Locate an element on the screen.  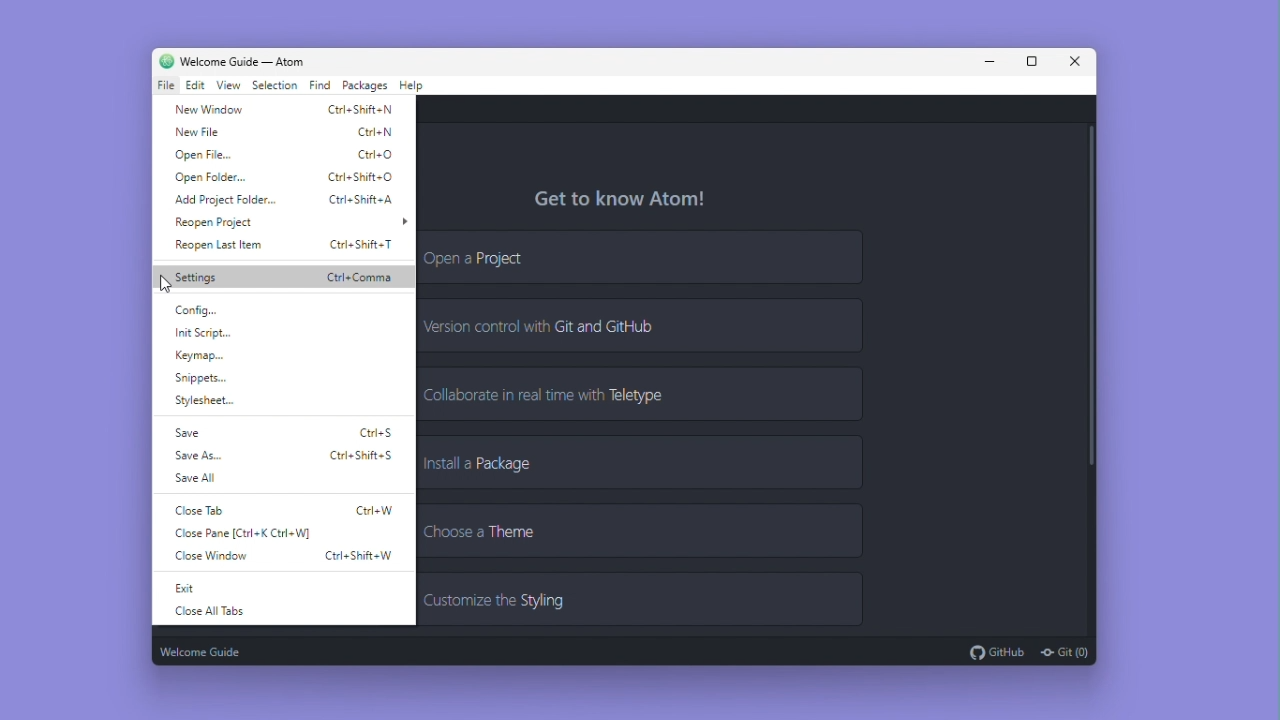
Save all is located at coordinates (214, 480).